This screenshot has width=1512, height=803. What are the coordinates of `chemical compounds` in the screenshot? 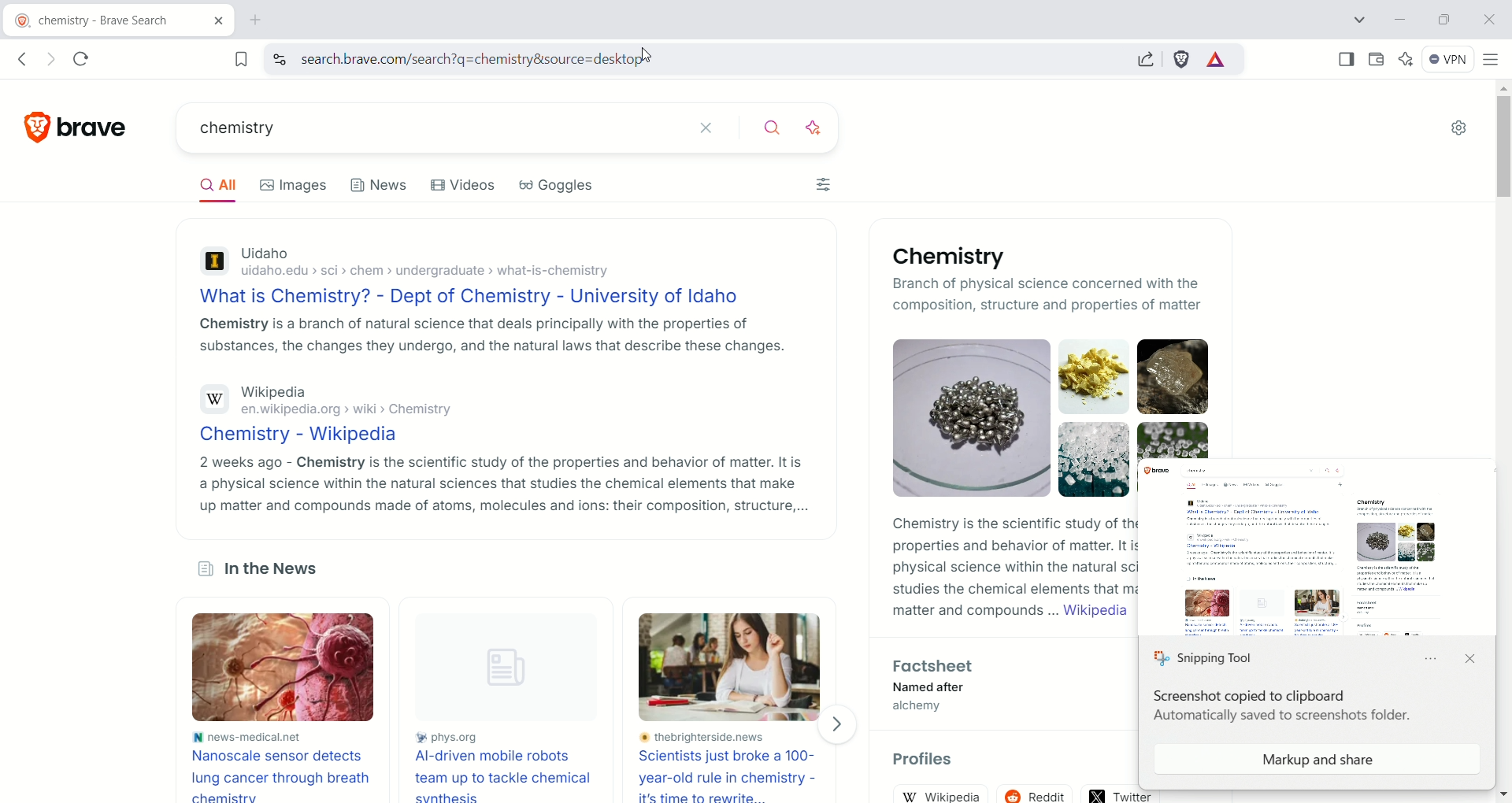 It's located at (1186, 387).